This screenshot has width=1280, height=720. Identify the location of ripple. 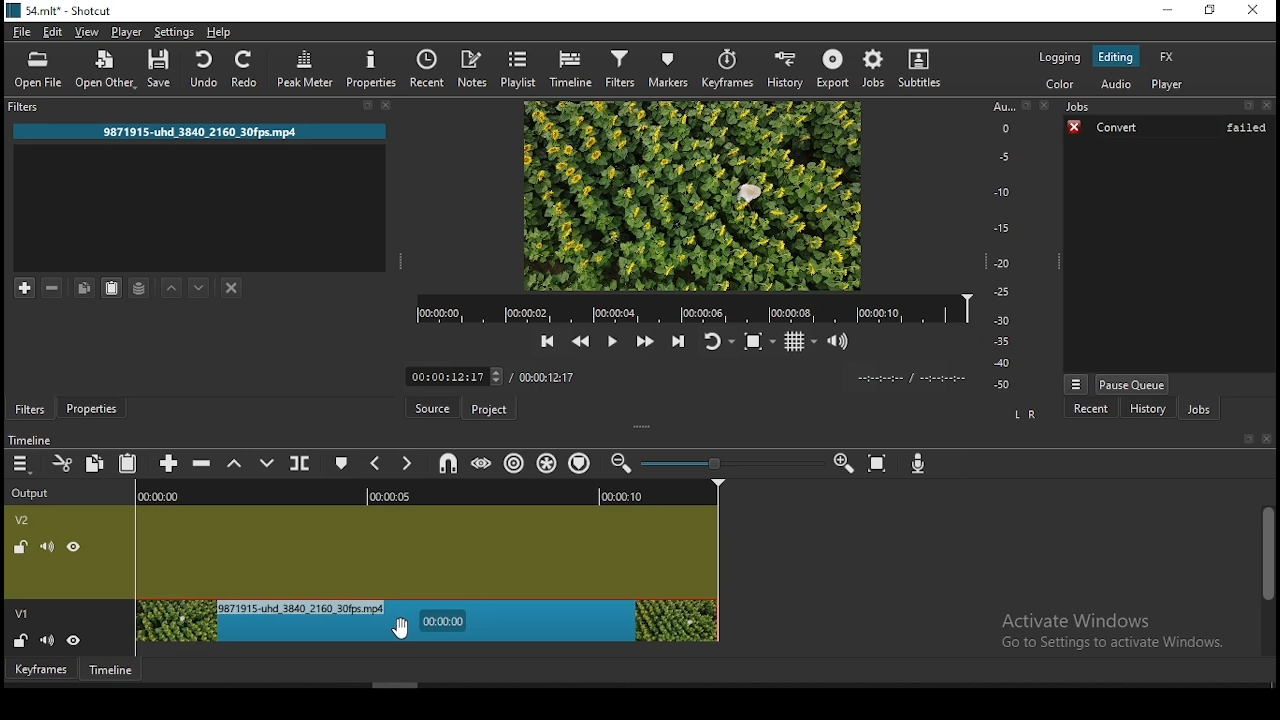
(515, 463).